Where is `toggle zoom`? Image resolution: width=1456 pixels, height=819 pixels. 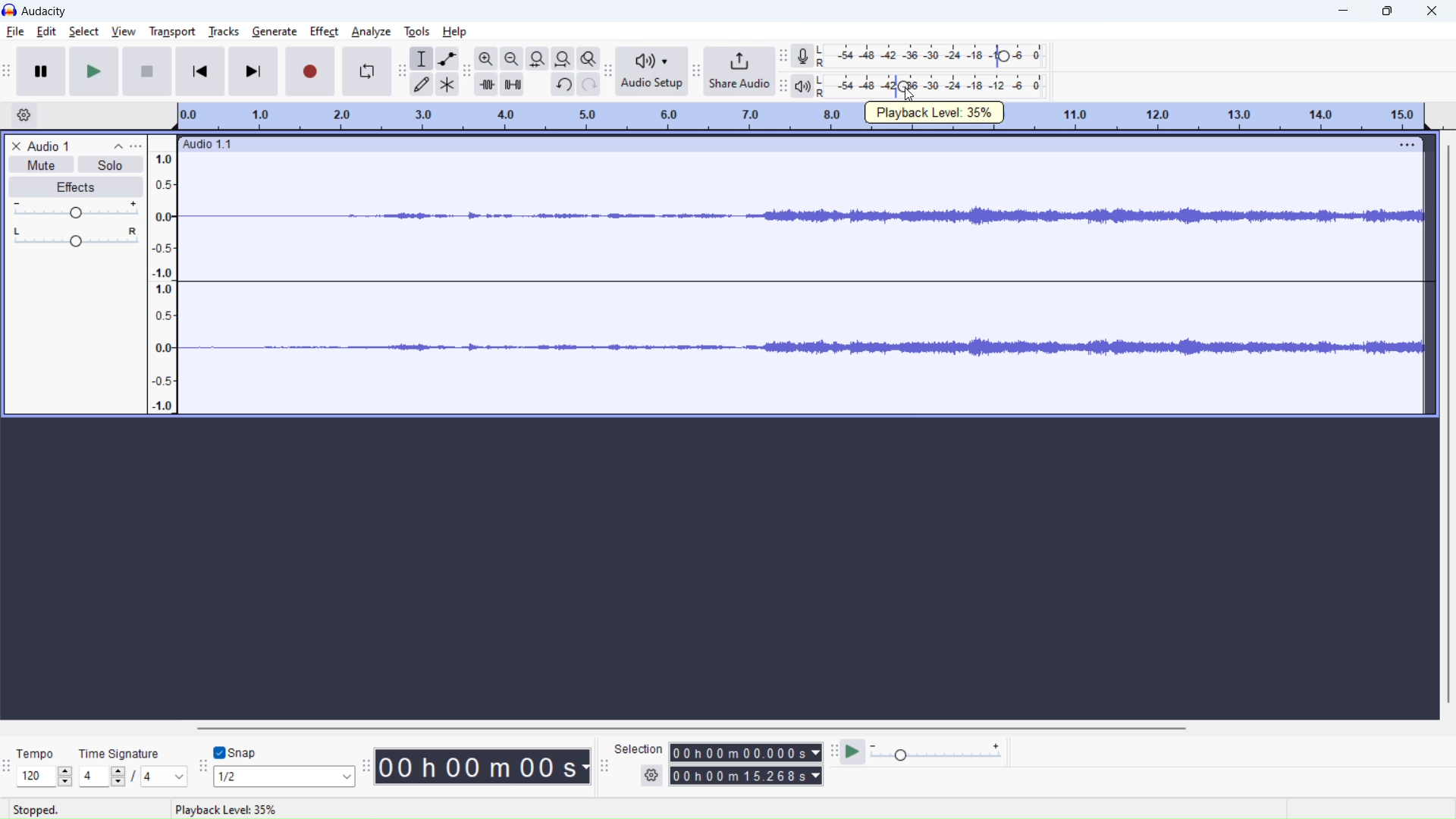 toggle zoom is located at coordinates (588, 58).